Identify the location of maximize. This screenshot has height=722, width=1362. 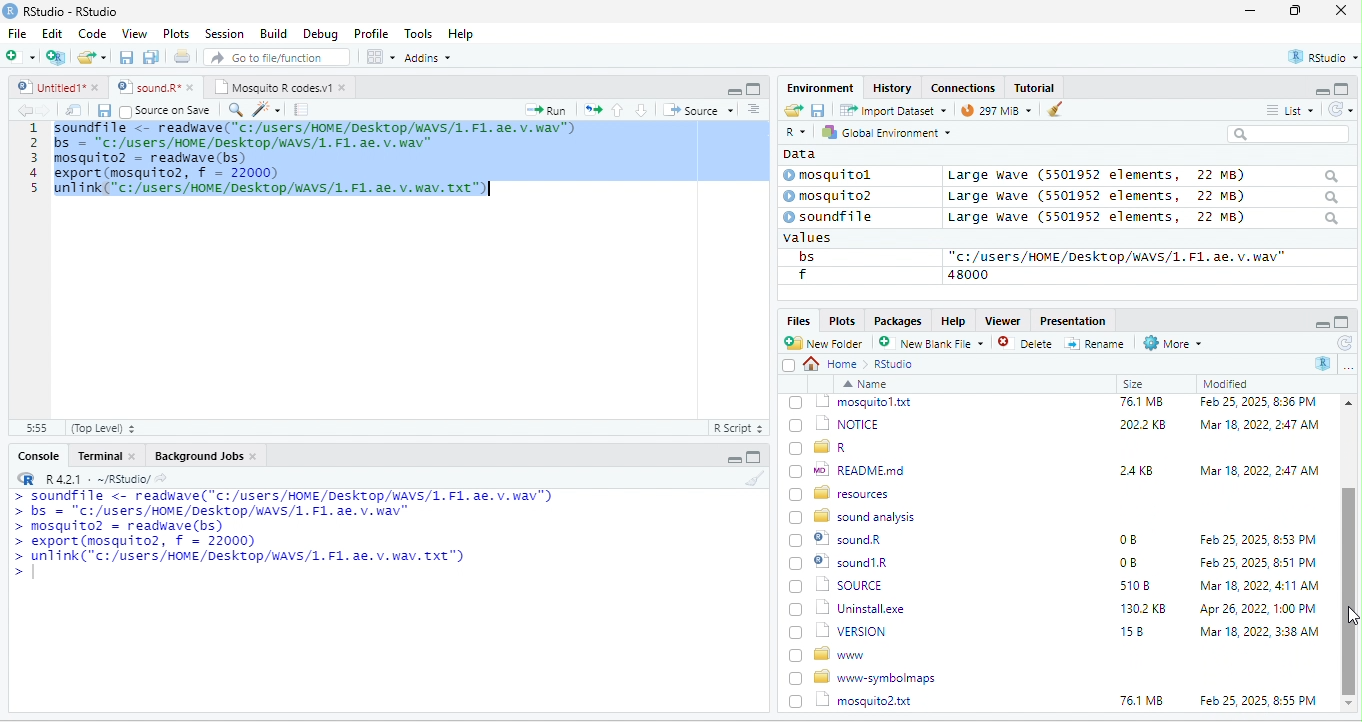
(1344, 88).